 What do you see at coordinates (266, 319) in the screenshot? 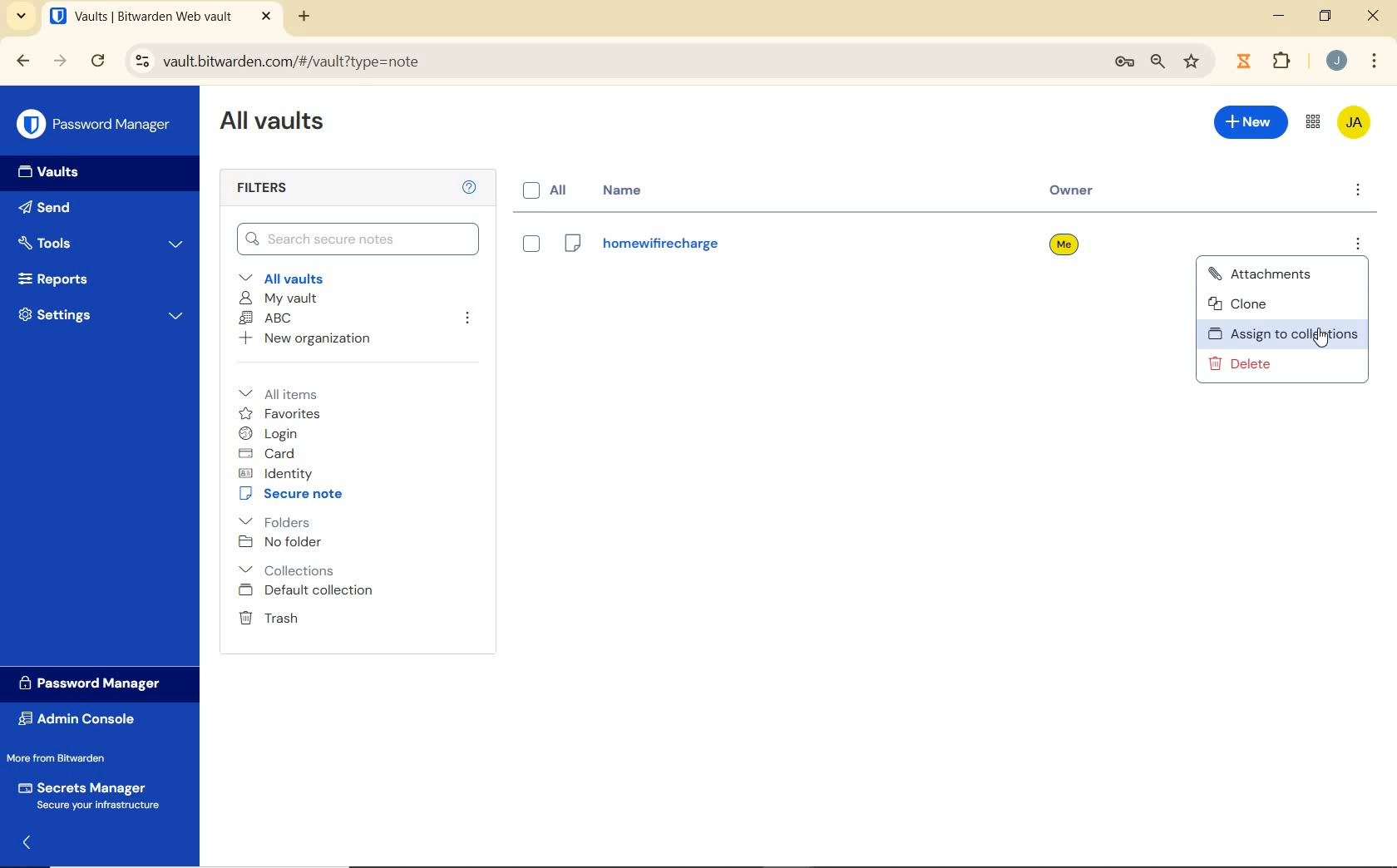
I see `ABC` at bounding box center [266, 319].